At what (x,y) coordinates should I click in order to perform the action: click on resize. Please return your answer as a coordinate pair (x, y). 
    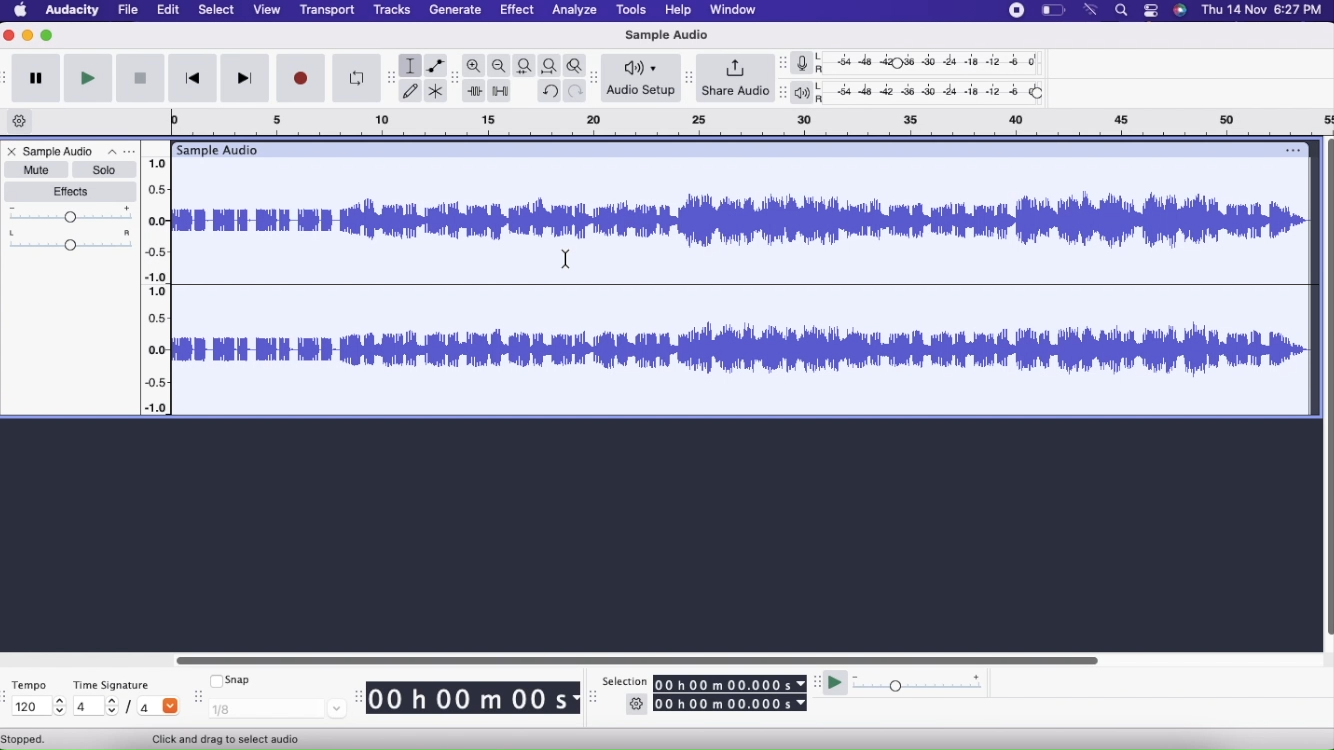
    Looking at the image, I should click on (817, 684).